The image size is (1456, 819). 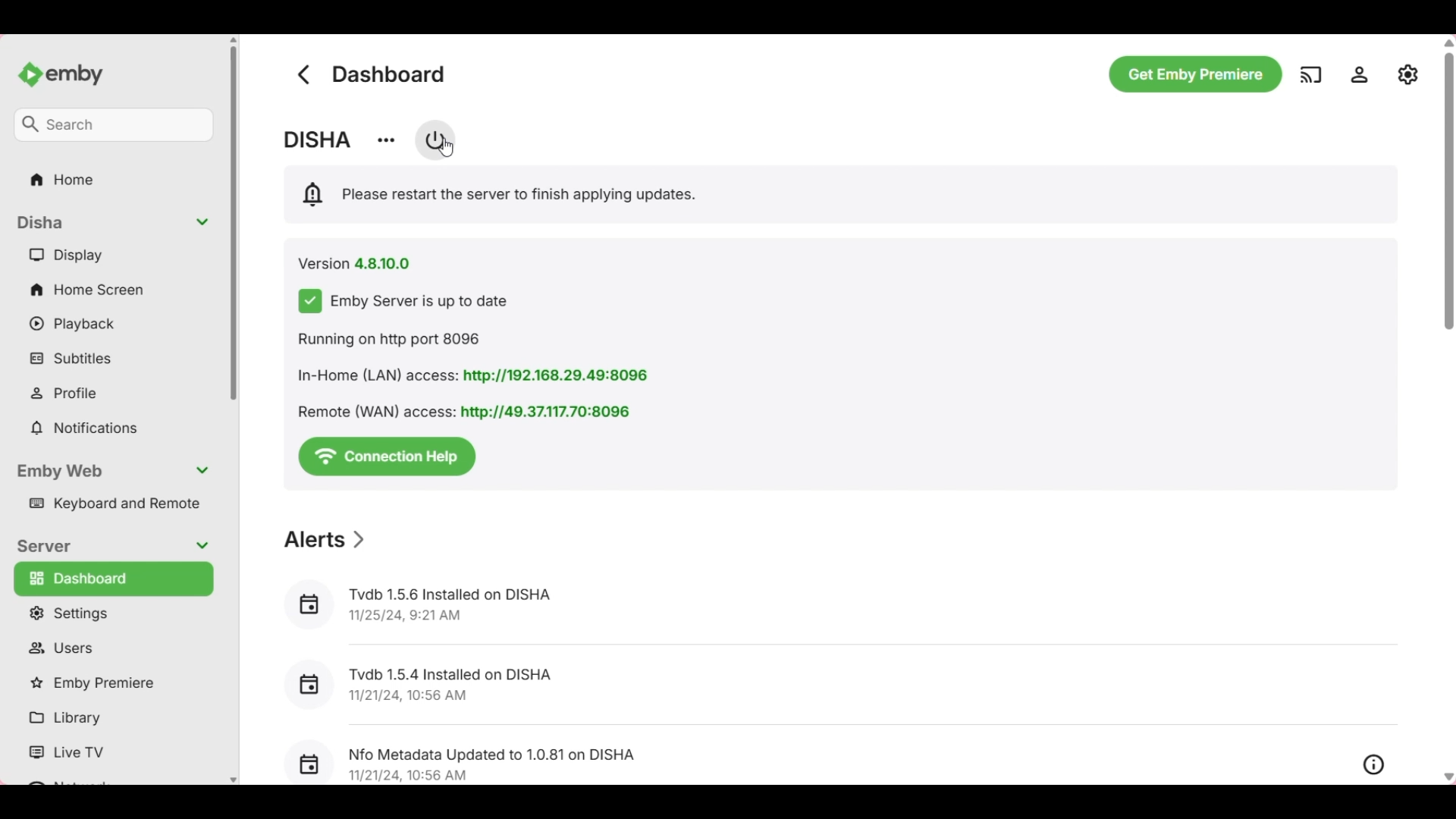 I want to click on Cursor, so click(x=446, y=146).